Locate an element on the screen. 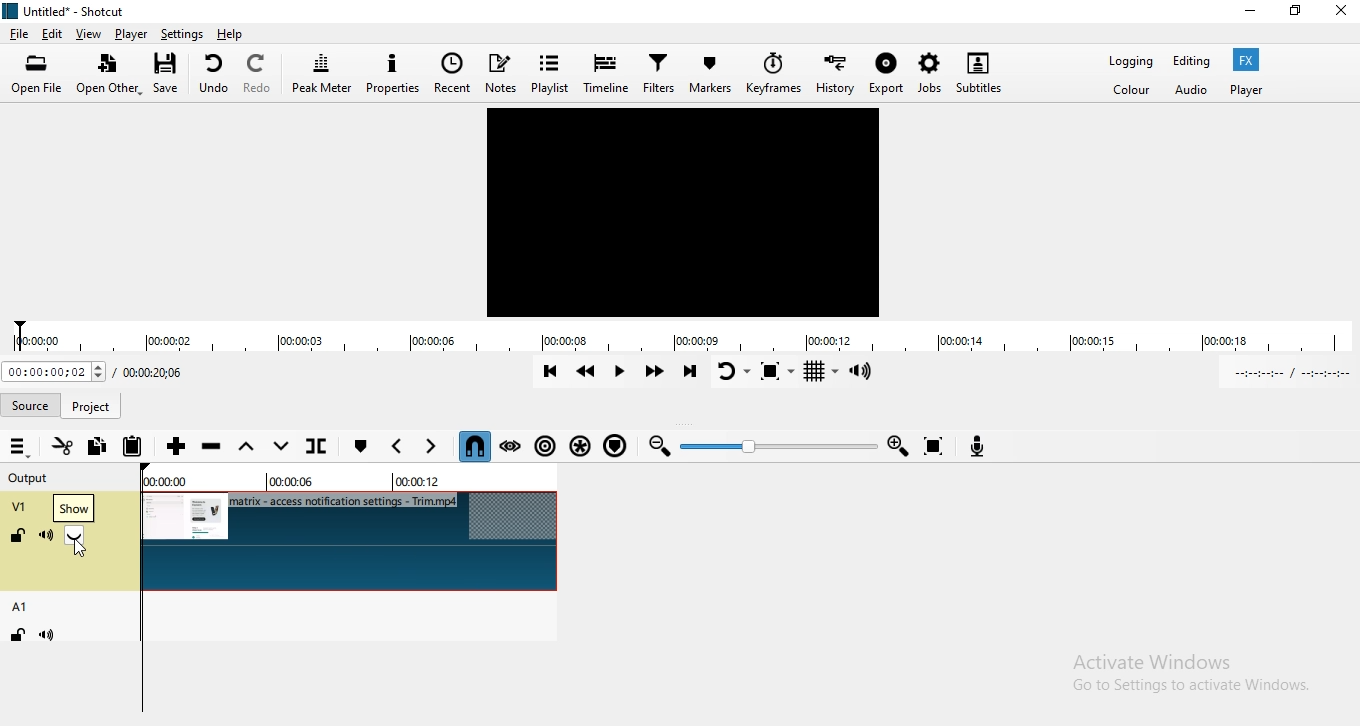   is located at coordinates (578, 443).